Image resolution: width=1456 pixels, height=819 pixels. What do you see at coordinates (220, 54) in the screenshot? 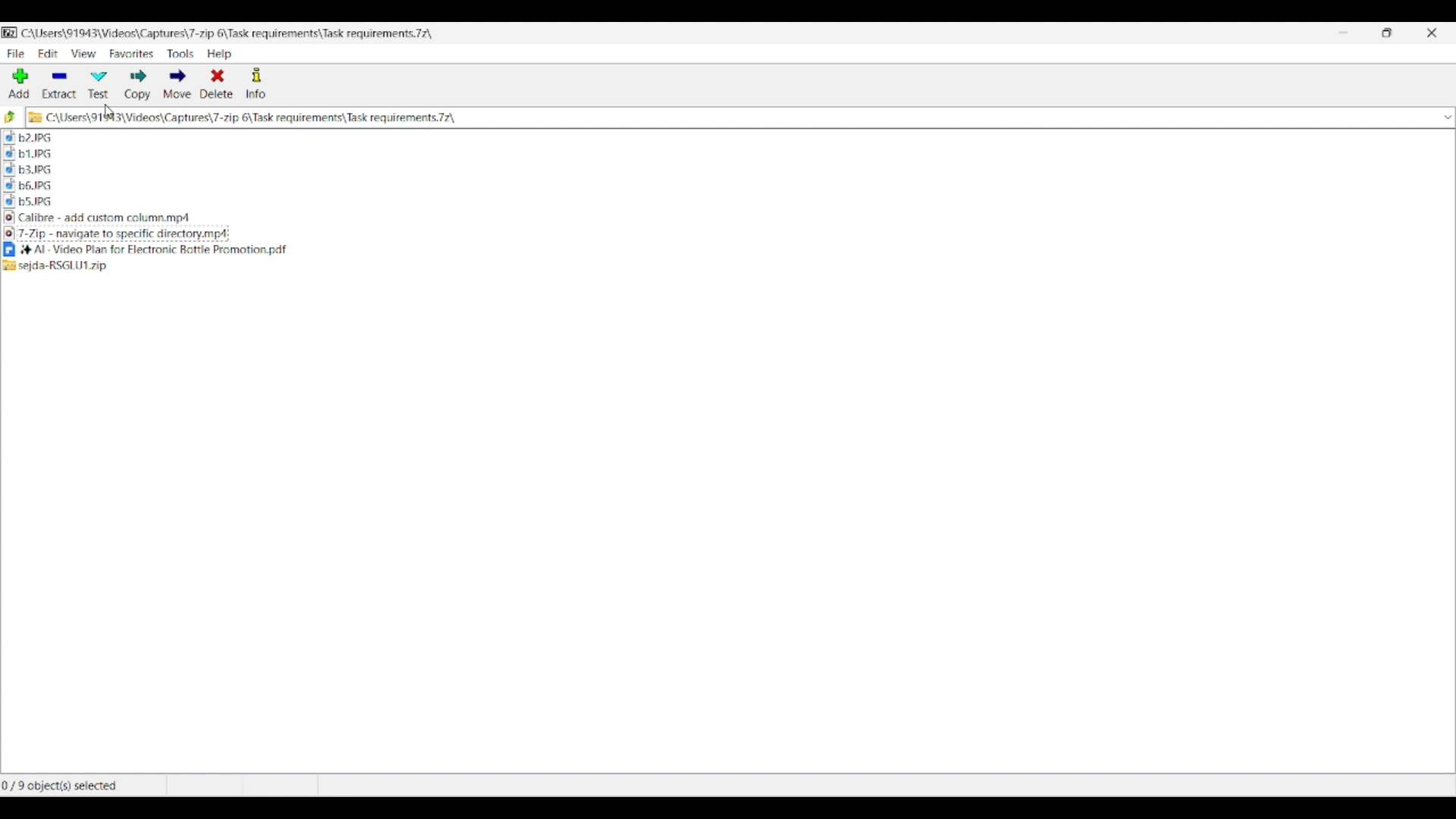
I see `Help menu` at bounding box center [220, 54].